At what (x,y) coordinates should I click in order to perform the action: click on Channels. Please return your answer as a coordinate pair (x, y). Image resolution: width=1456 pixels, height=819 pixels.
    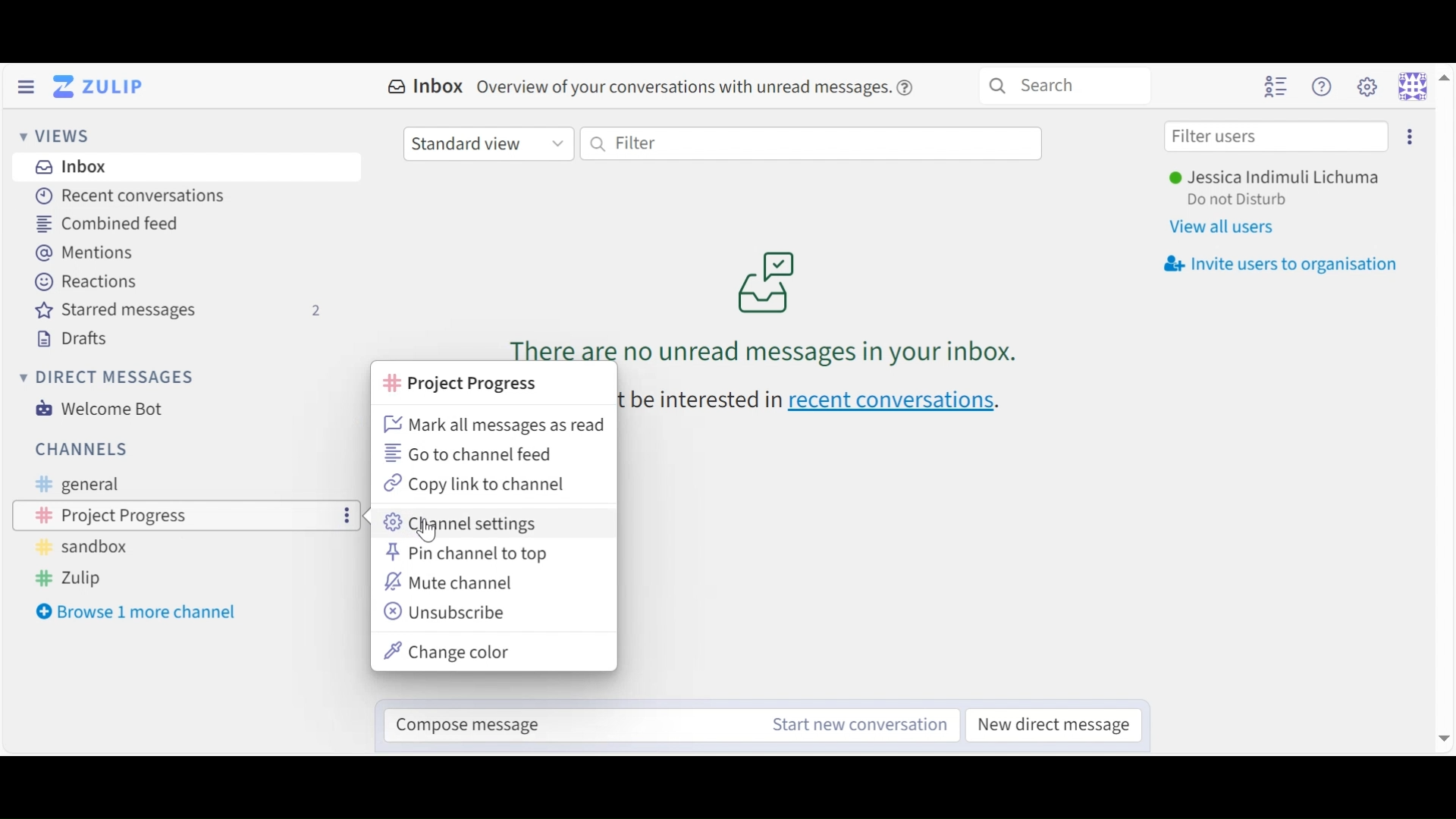
    Looking at the image, I should click on (89, 451).